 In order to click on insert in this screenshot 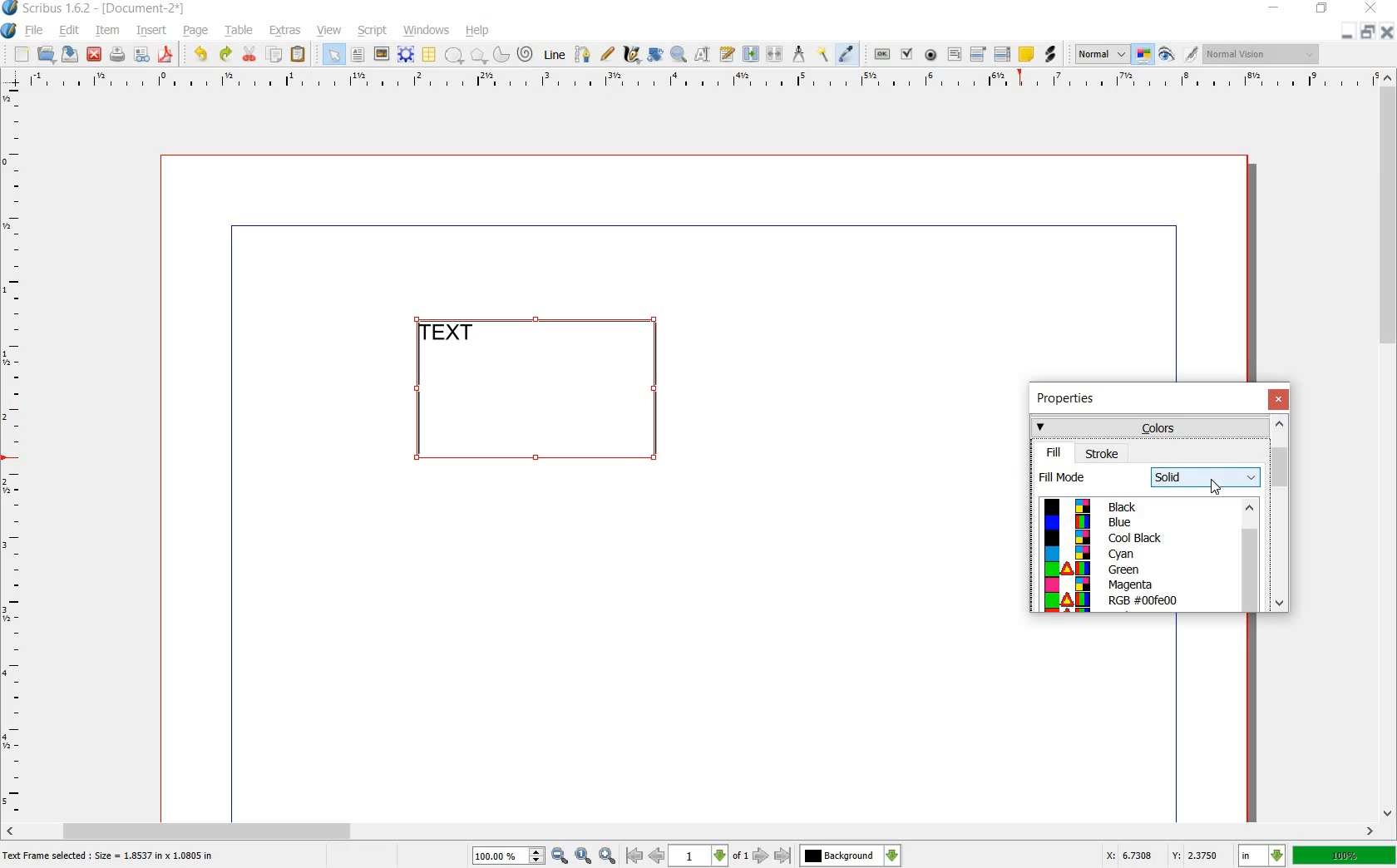, I will do `click(152, 32)`.